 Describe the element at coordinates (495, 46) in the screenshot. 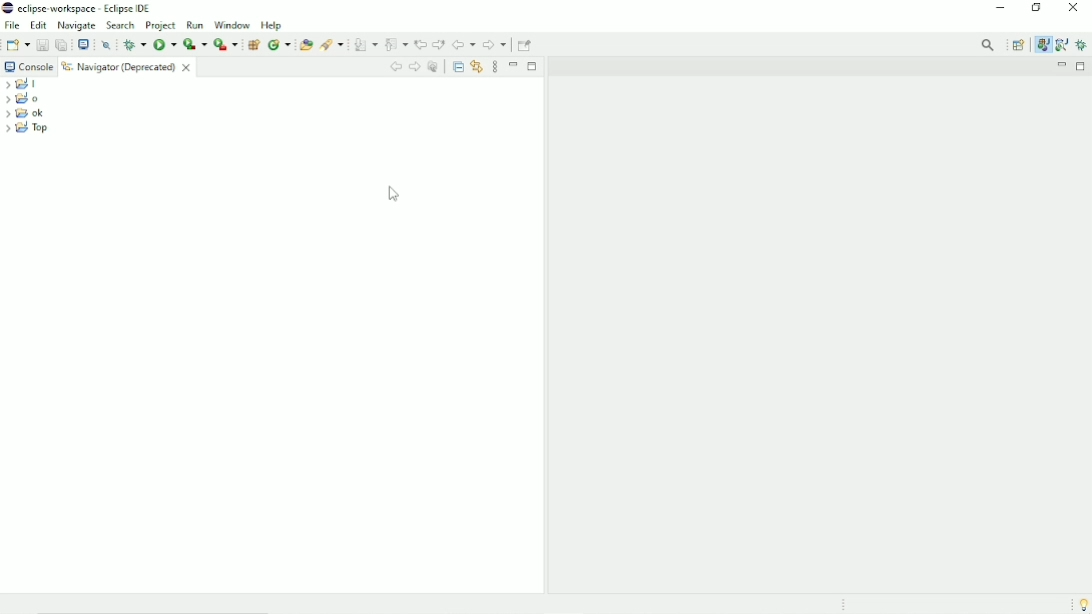

I see `Forward` at that location.